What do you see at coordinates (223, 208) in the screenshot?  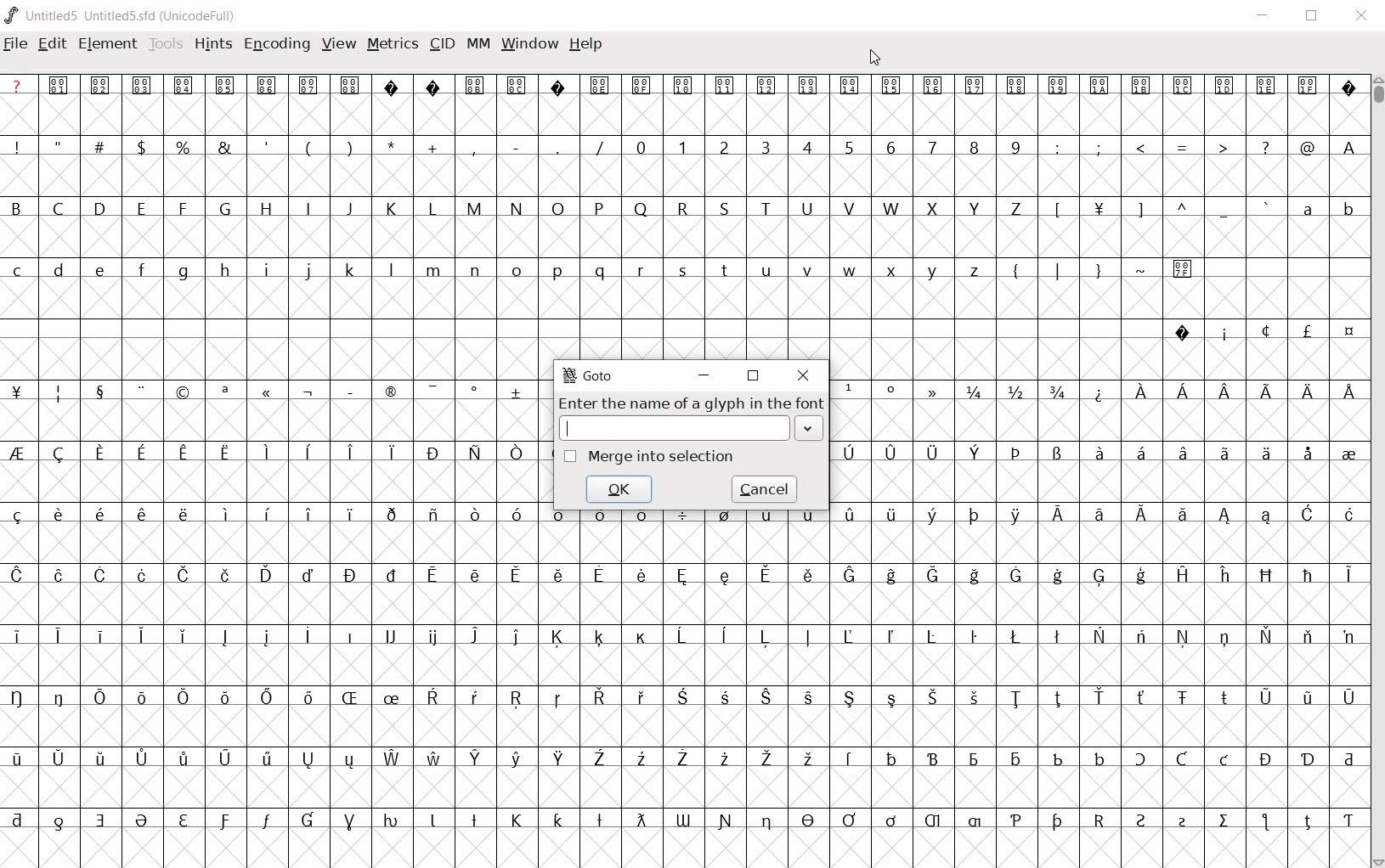 I see `G` at bounding box center [223, 208].